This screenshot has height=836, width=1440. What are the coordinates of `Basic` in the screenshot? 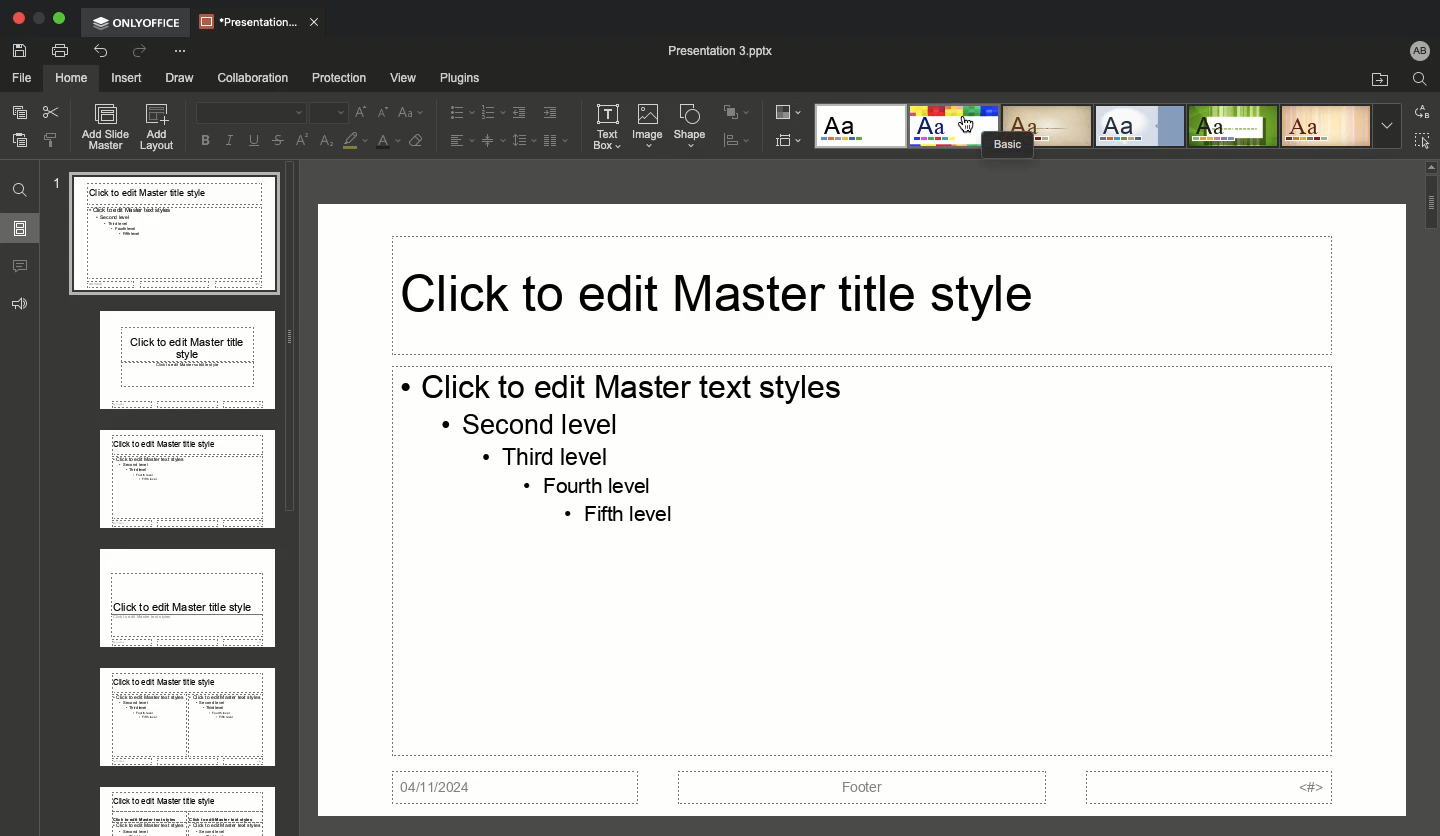 It's located at (1008, 143).